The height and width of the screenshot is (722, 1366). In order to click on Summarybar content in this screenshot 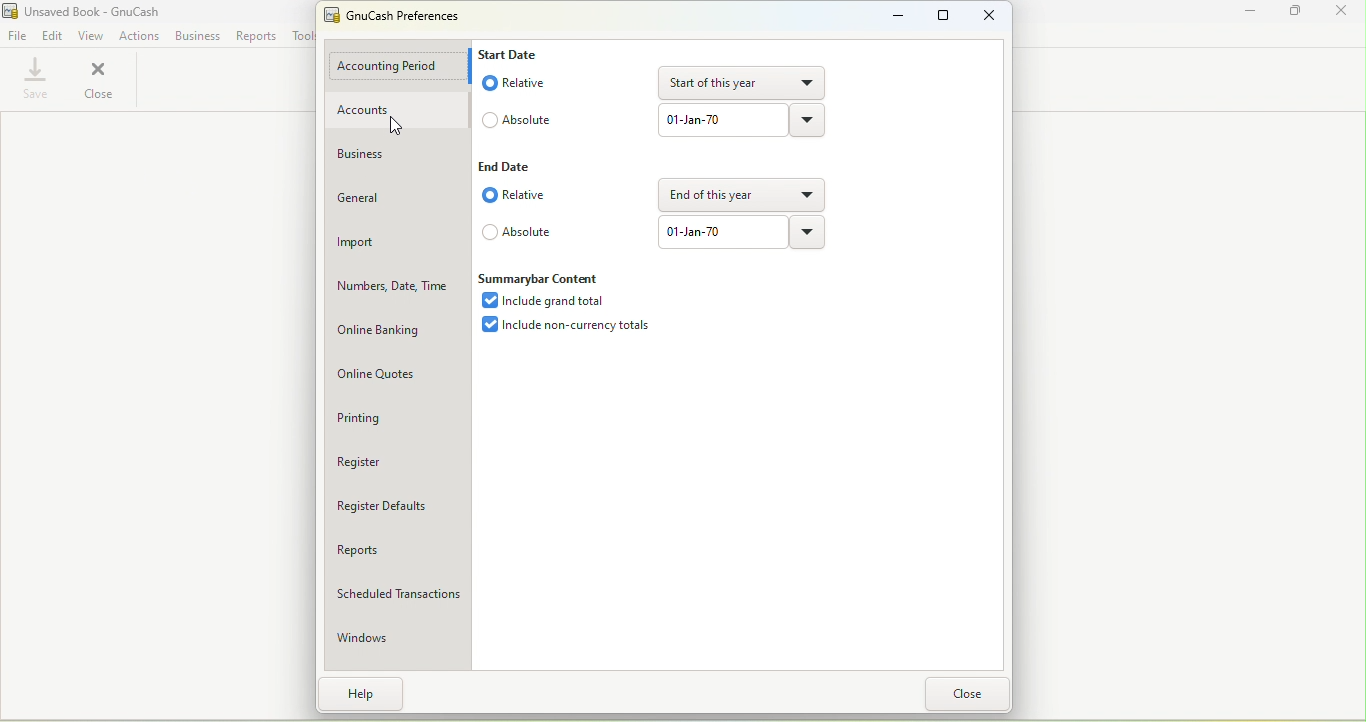, I will do `click(540, 277)`.